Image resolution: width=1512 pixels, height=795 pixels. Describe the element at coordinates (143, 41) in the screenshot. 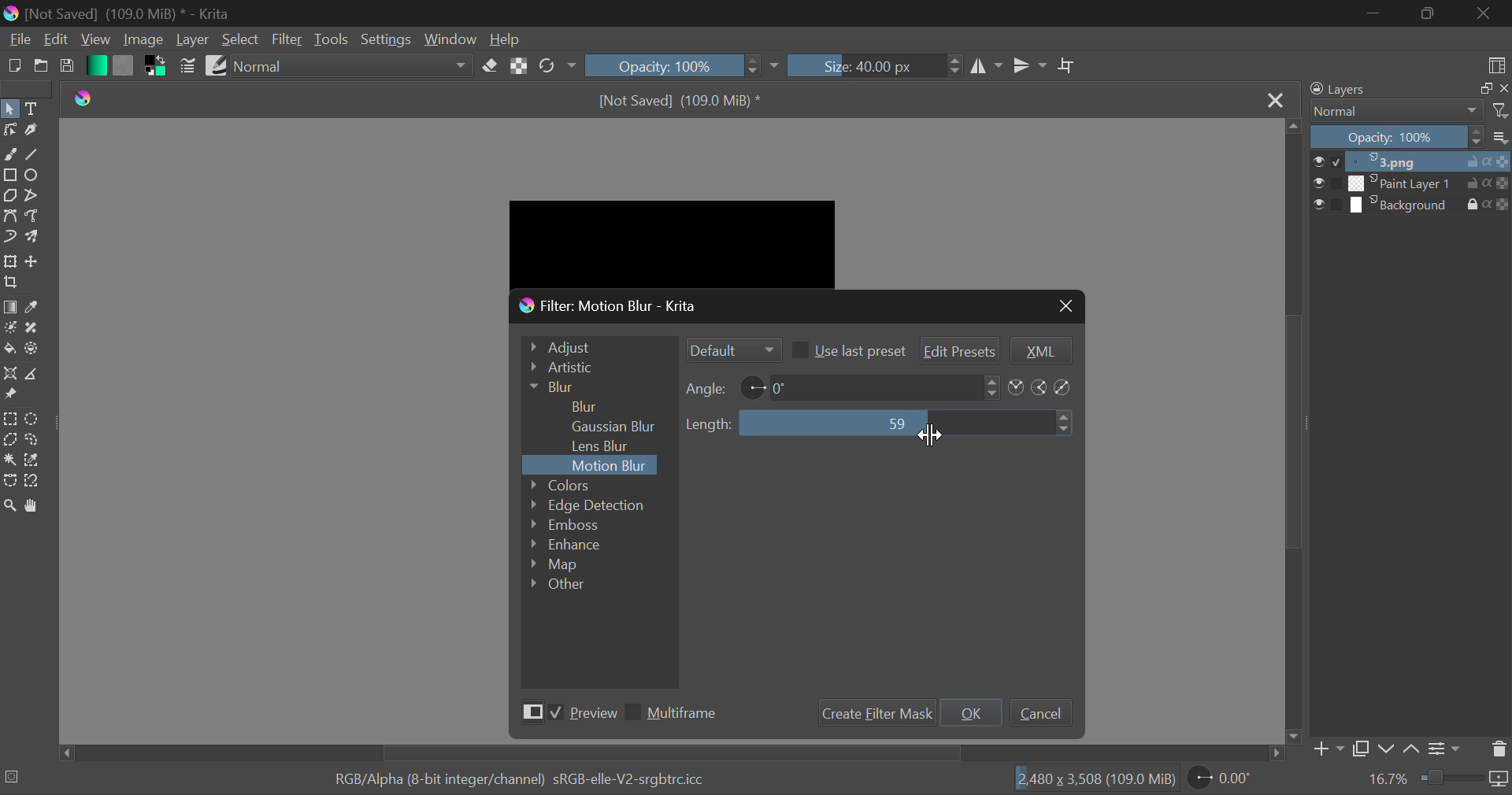

I see `Image` at that location.